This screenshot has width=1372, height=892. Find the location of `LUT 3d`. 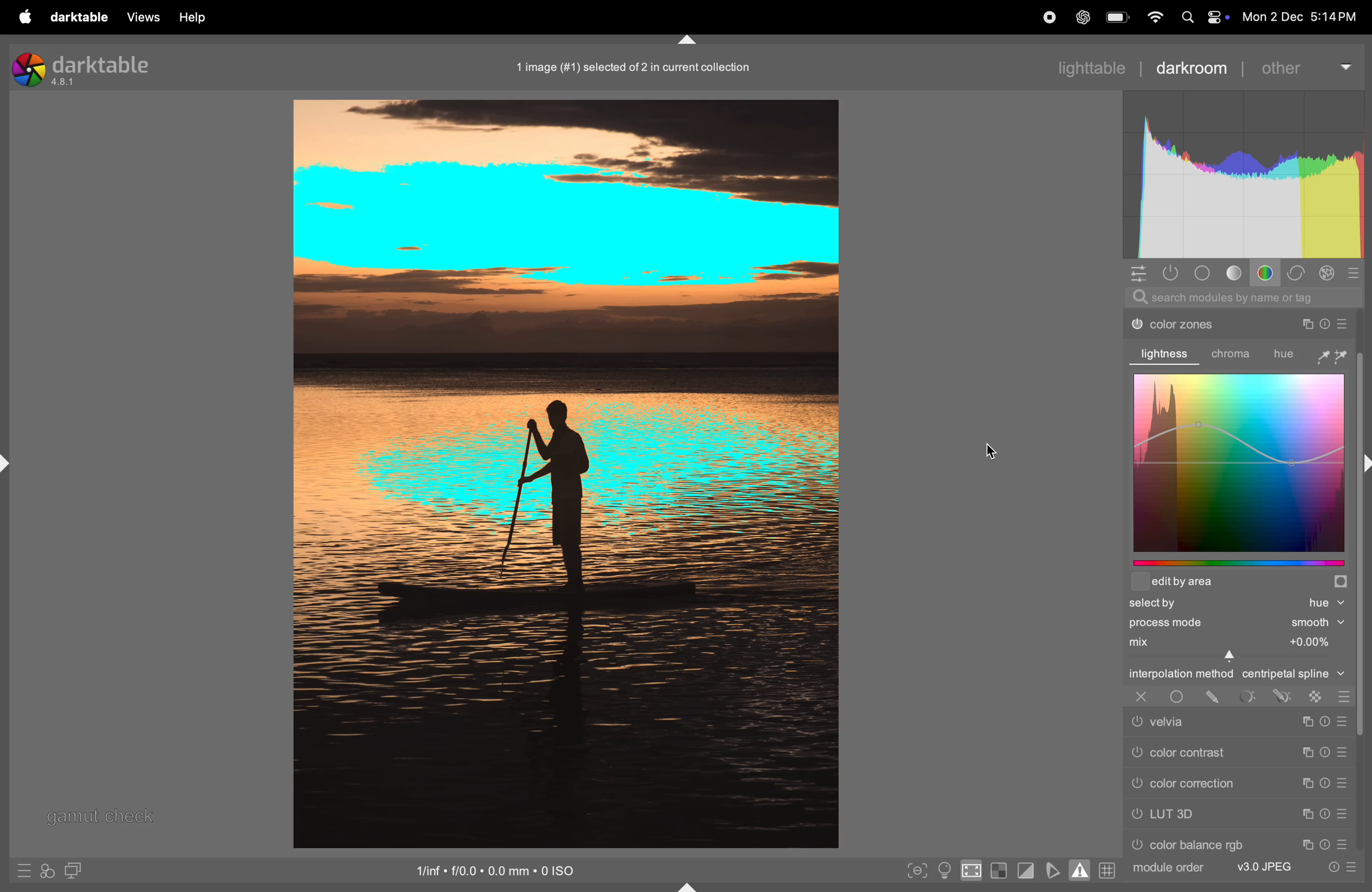

LUT 3d is located at coordinates (1204, 814).